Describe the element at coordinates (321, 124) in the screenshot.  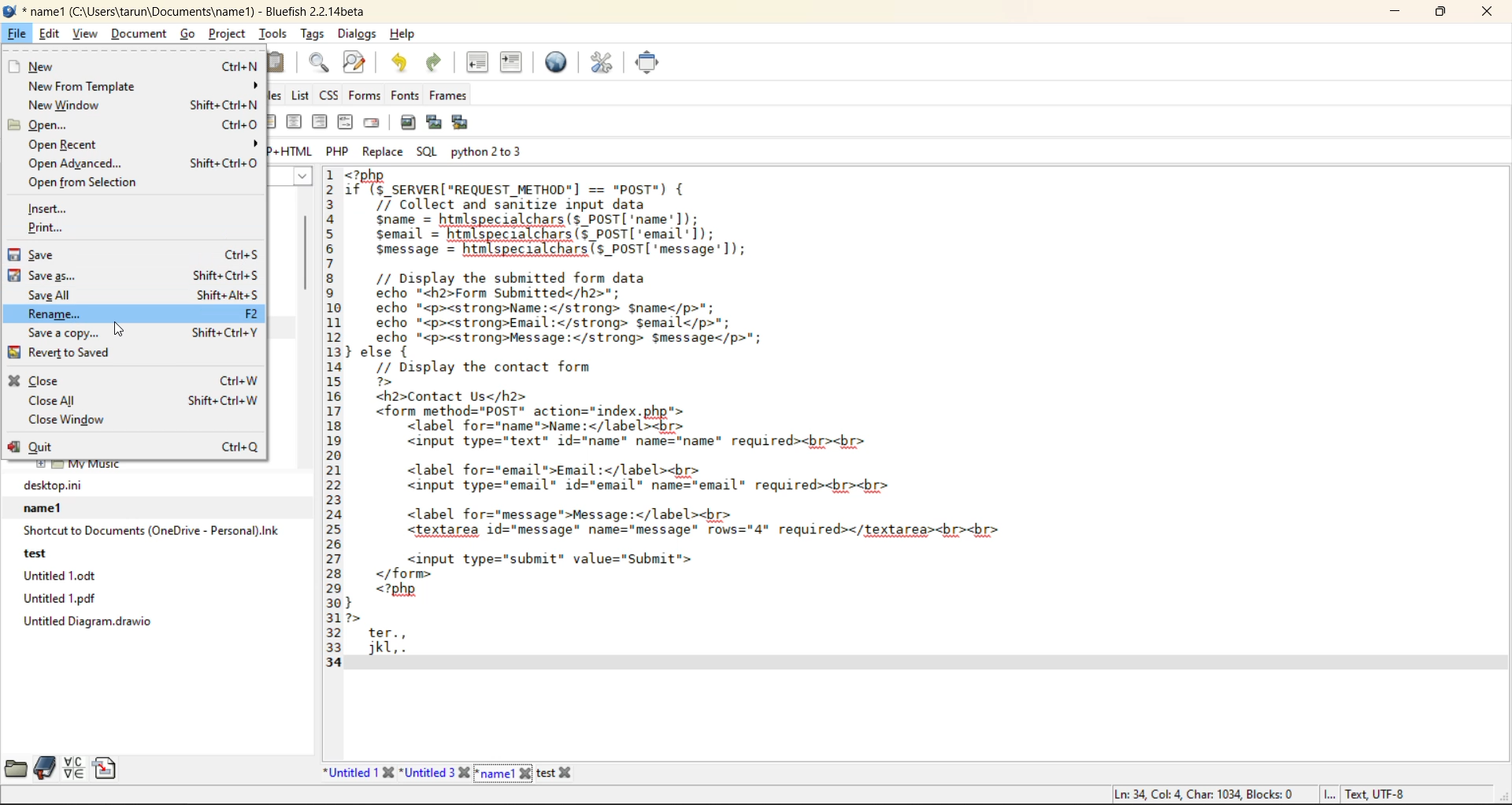
I see `right justify` at that location.